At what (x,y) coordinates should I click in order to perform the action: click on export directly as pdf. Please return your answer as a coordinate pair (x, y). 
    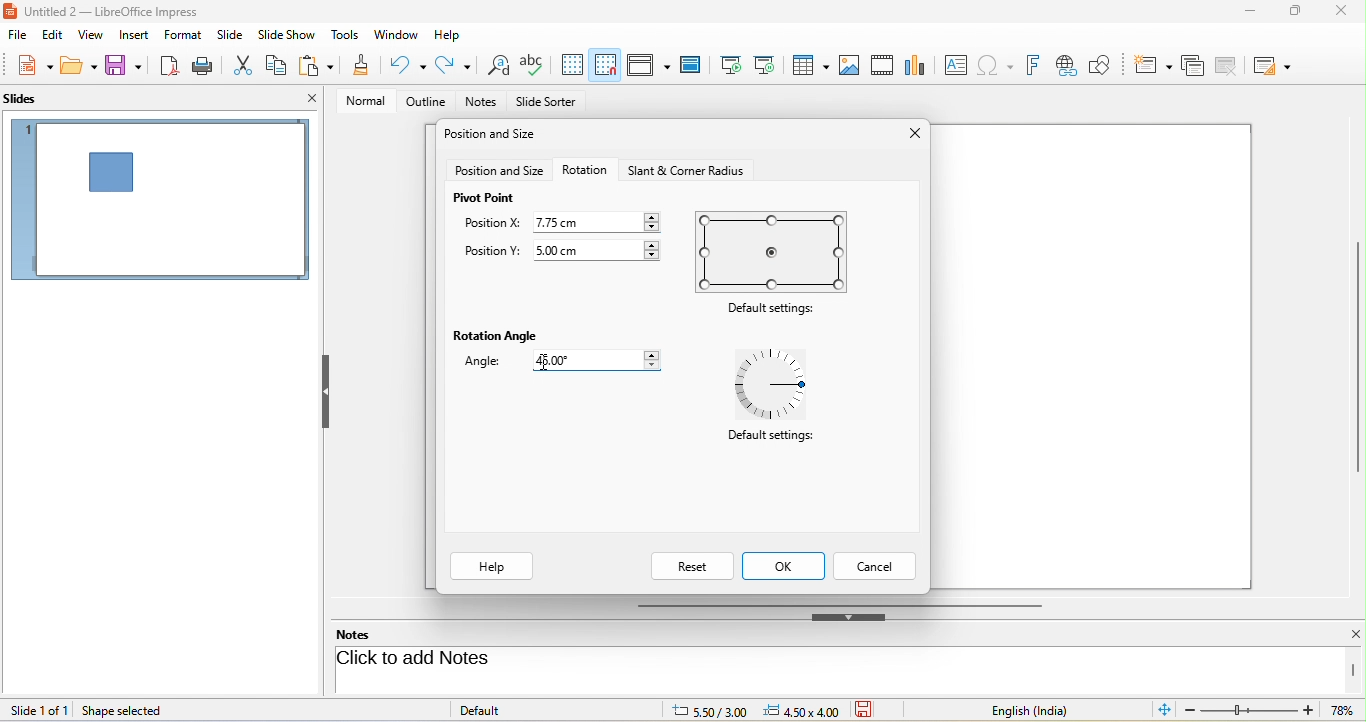
    Looking at the image, I should click on (171, 66).